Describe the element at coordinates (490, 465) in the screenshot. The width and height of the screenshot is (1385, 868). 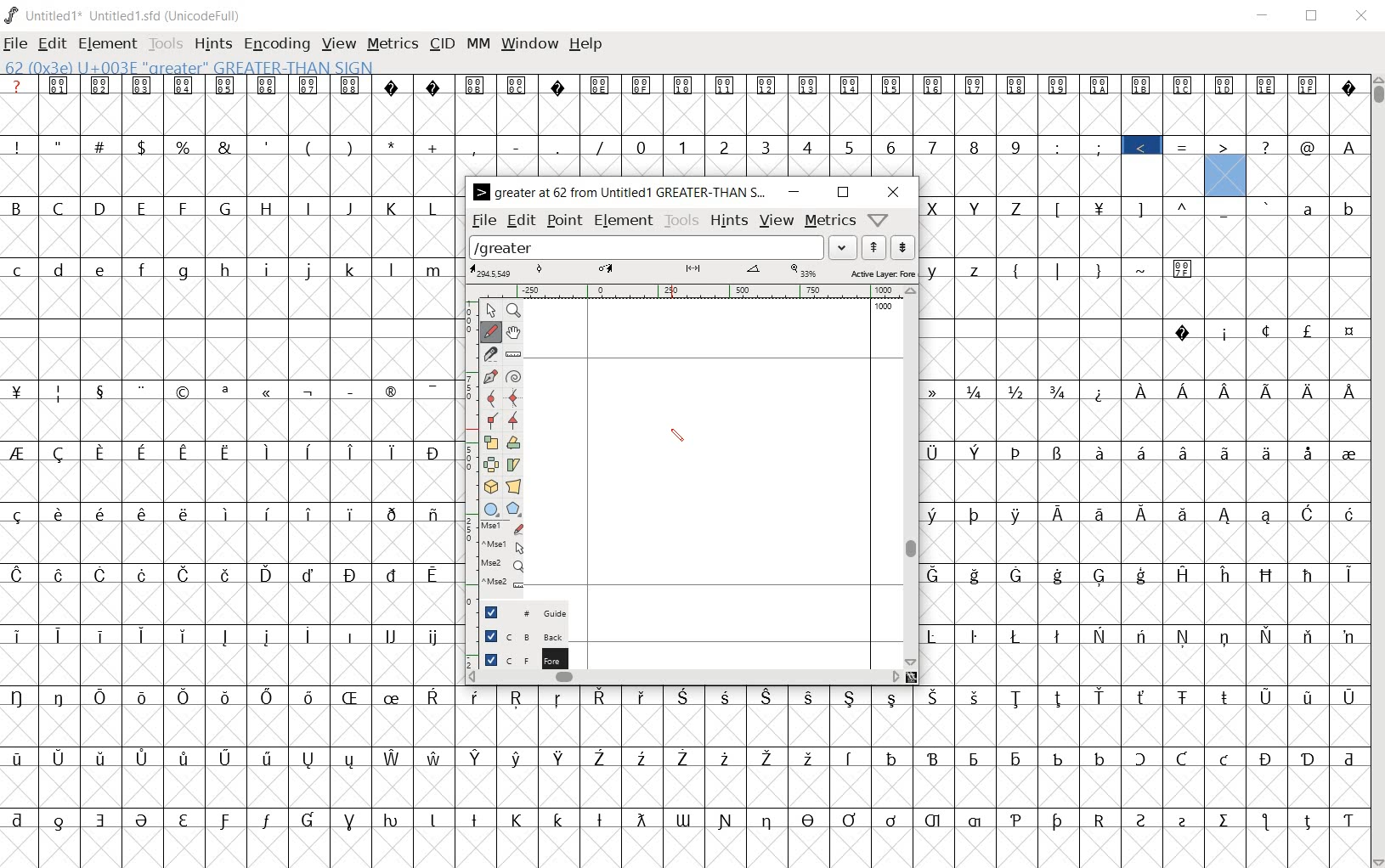
I see `flip the selection` at that location.